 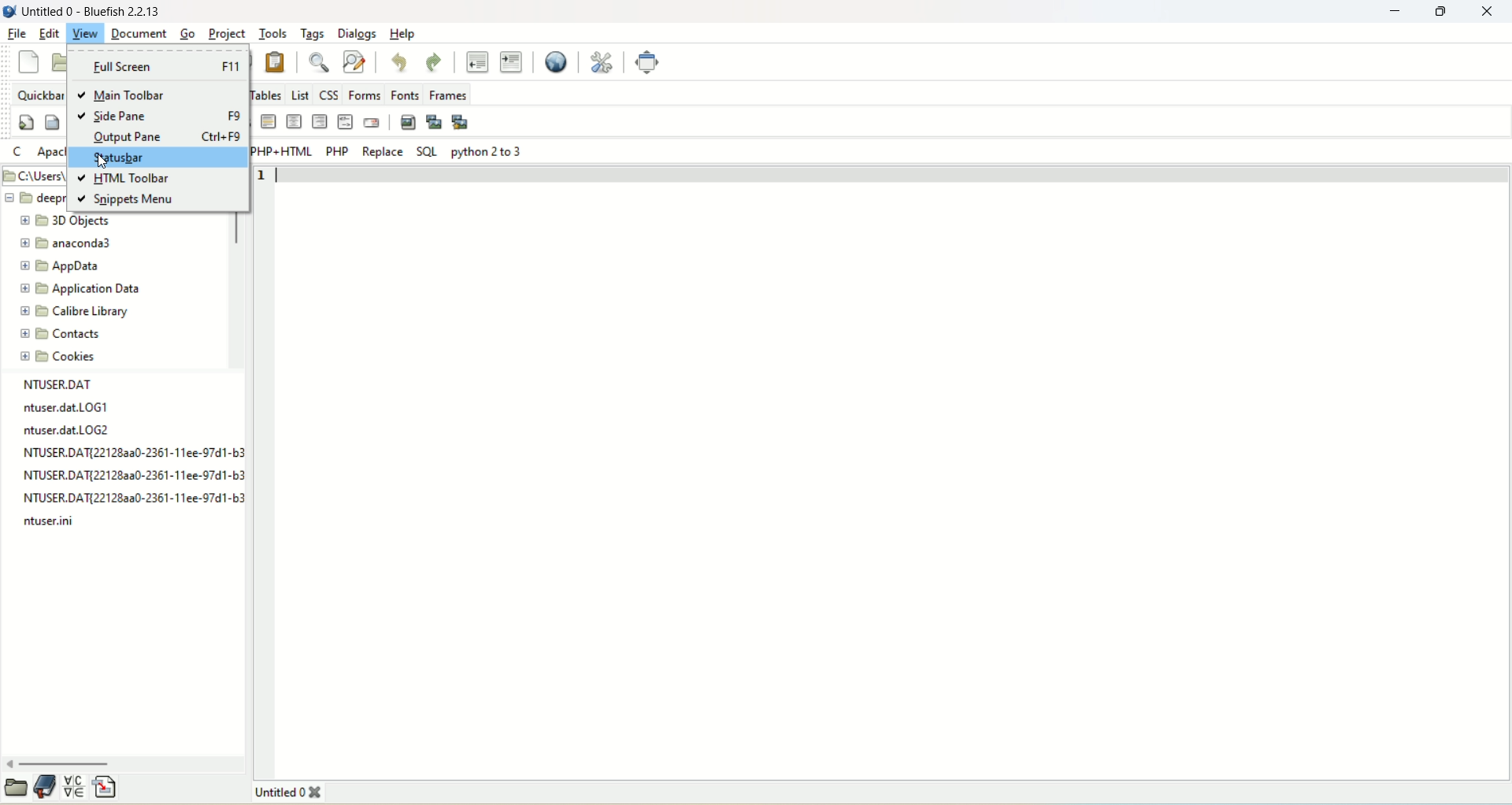 What do you see at coordinates (489, 151) in the screenshot?
I see `python 2 to 3` at bounding box center [489, 151].